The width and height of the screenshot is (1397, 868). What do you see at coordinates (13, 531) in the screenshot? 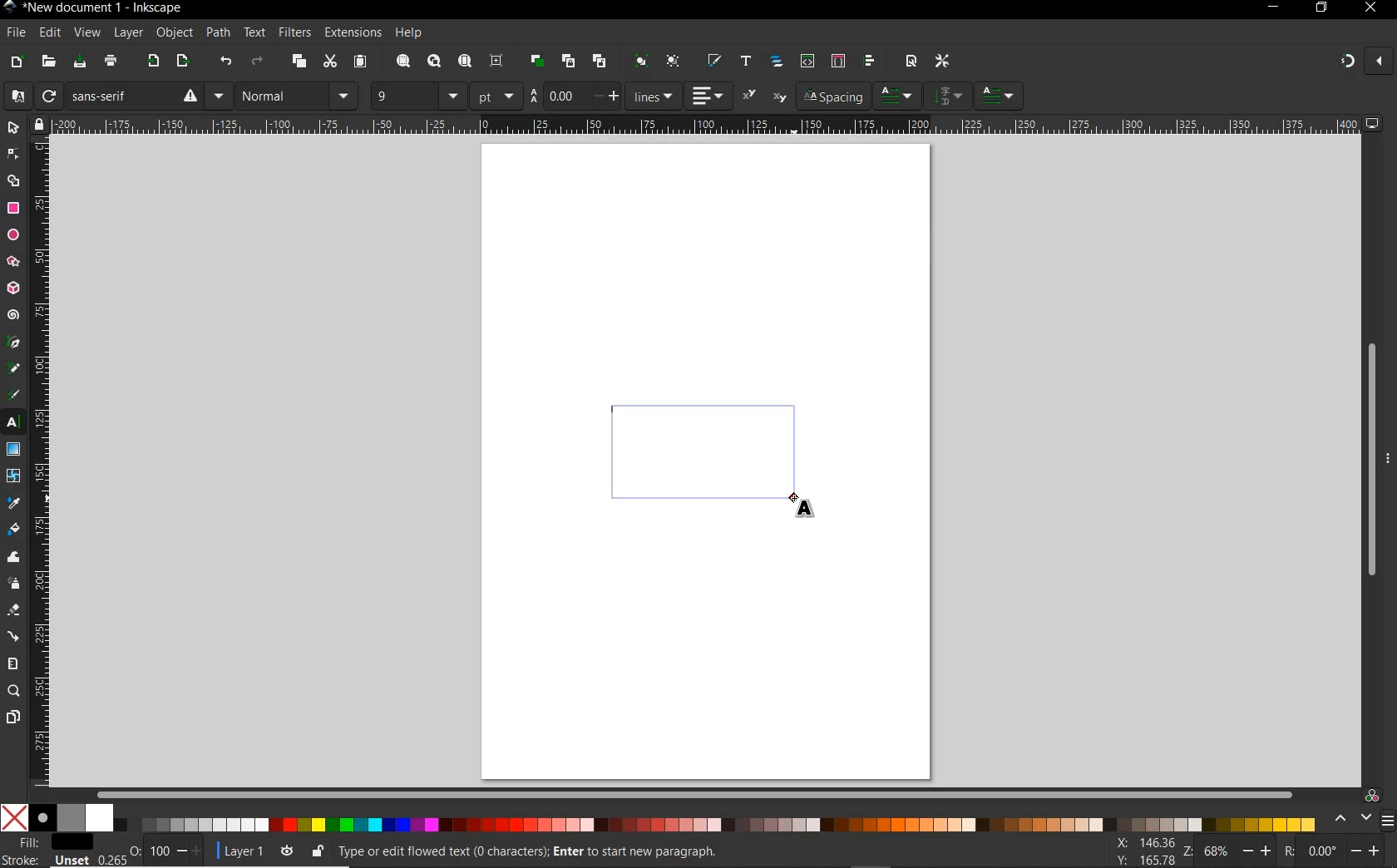
I see `paint bucket tool` at bounding box center [13, 531].